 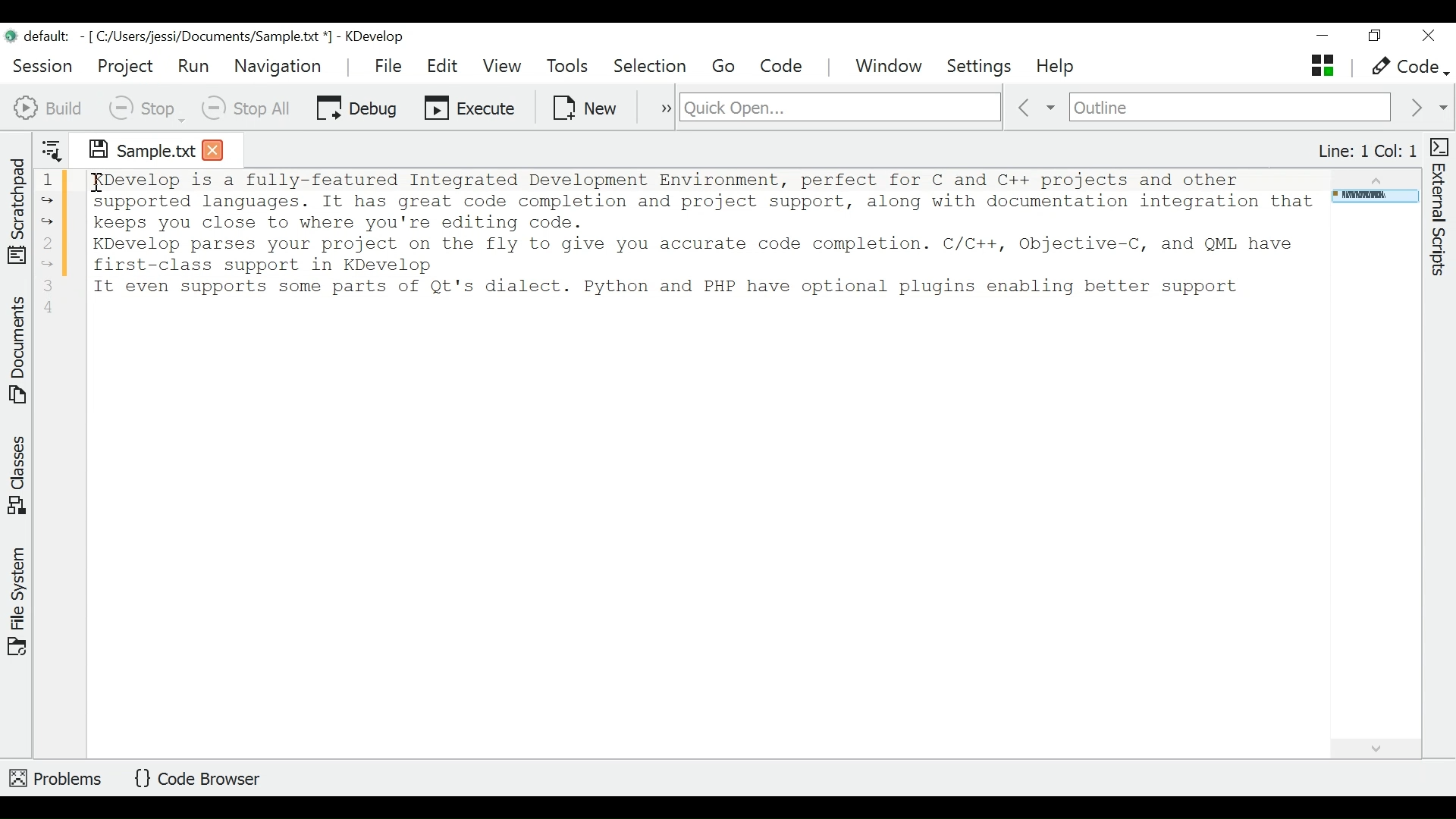 I want to click on File, so click(x=391, y=65).